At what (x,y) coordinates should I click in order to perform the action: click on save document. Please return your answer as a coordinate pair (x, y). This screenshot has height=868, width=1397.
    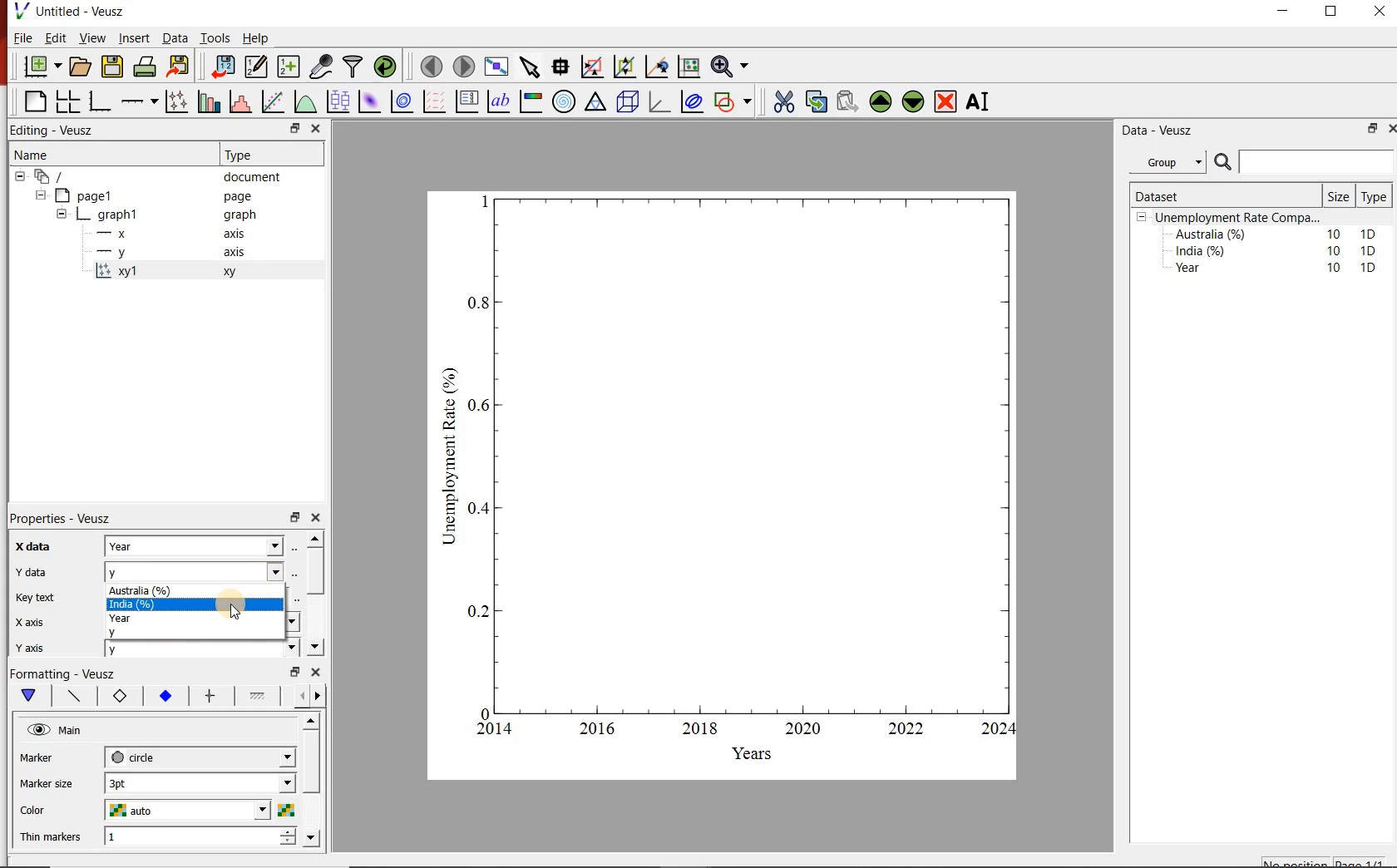
    Looking at the image, I should click on (112, 66).